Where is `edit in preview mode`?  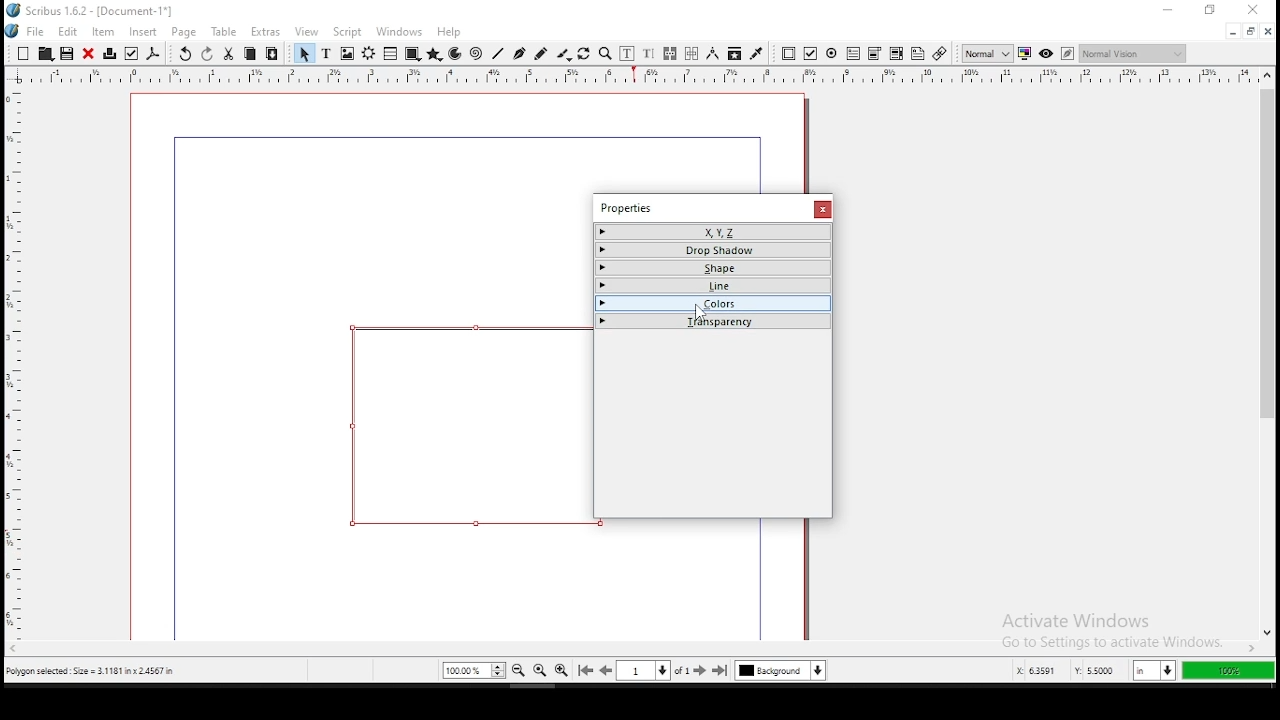
edit in preview mode is located at coordinates (1067, 53).